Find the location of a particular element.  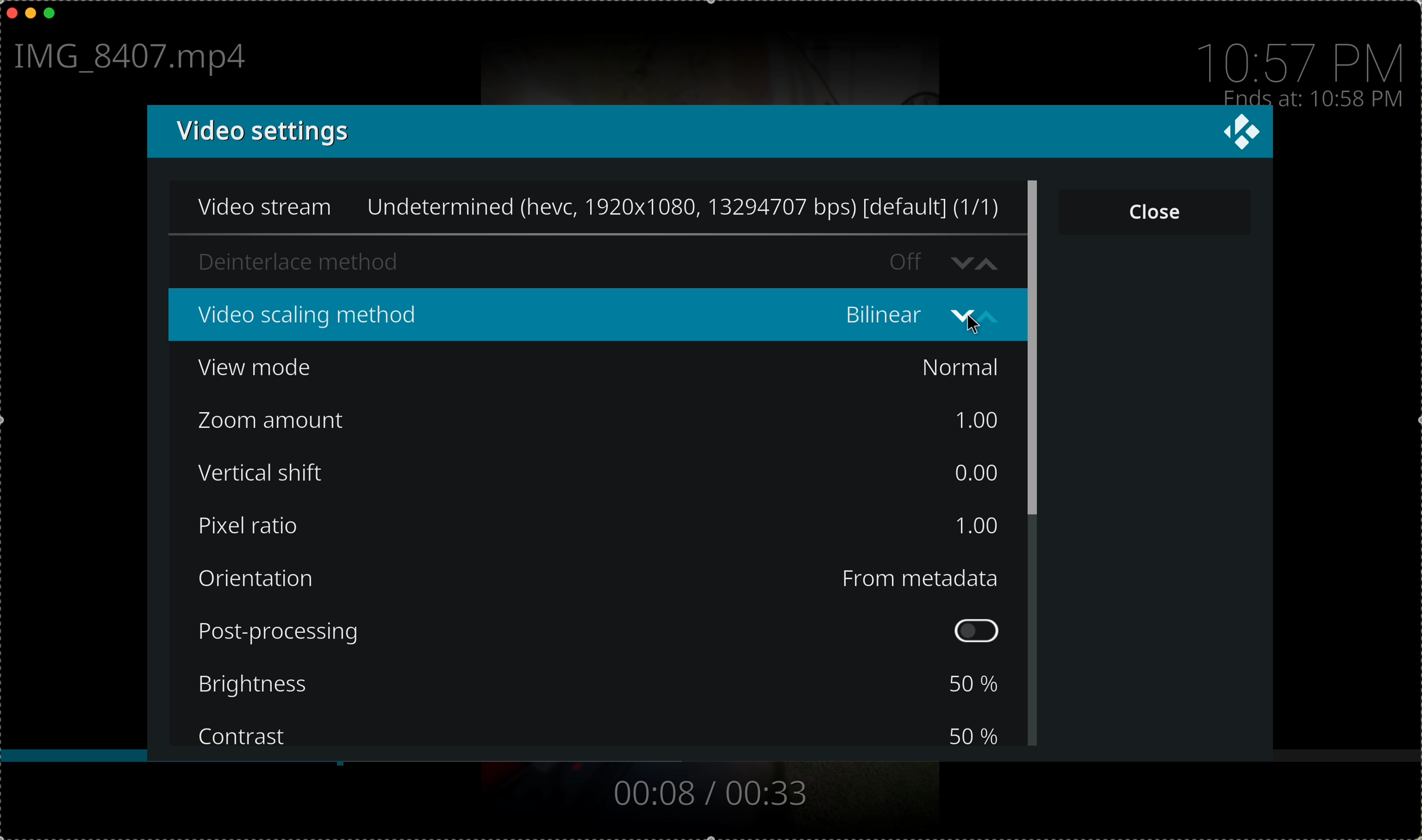

video scaling method  Bilinear is located at coordinates (551, 311).